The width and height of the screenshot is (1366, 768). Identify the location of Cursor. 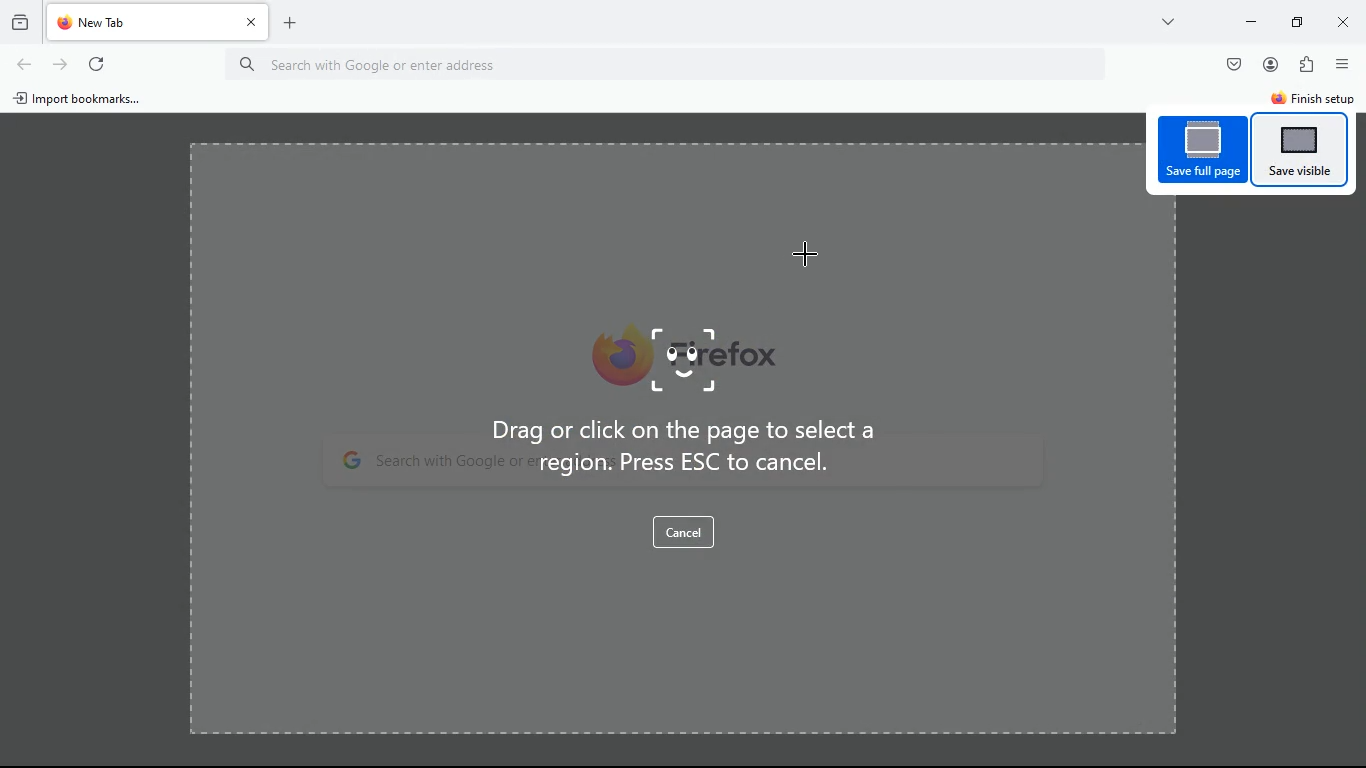
(806, 255).